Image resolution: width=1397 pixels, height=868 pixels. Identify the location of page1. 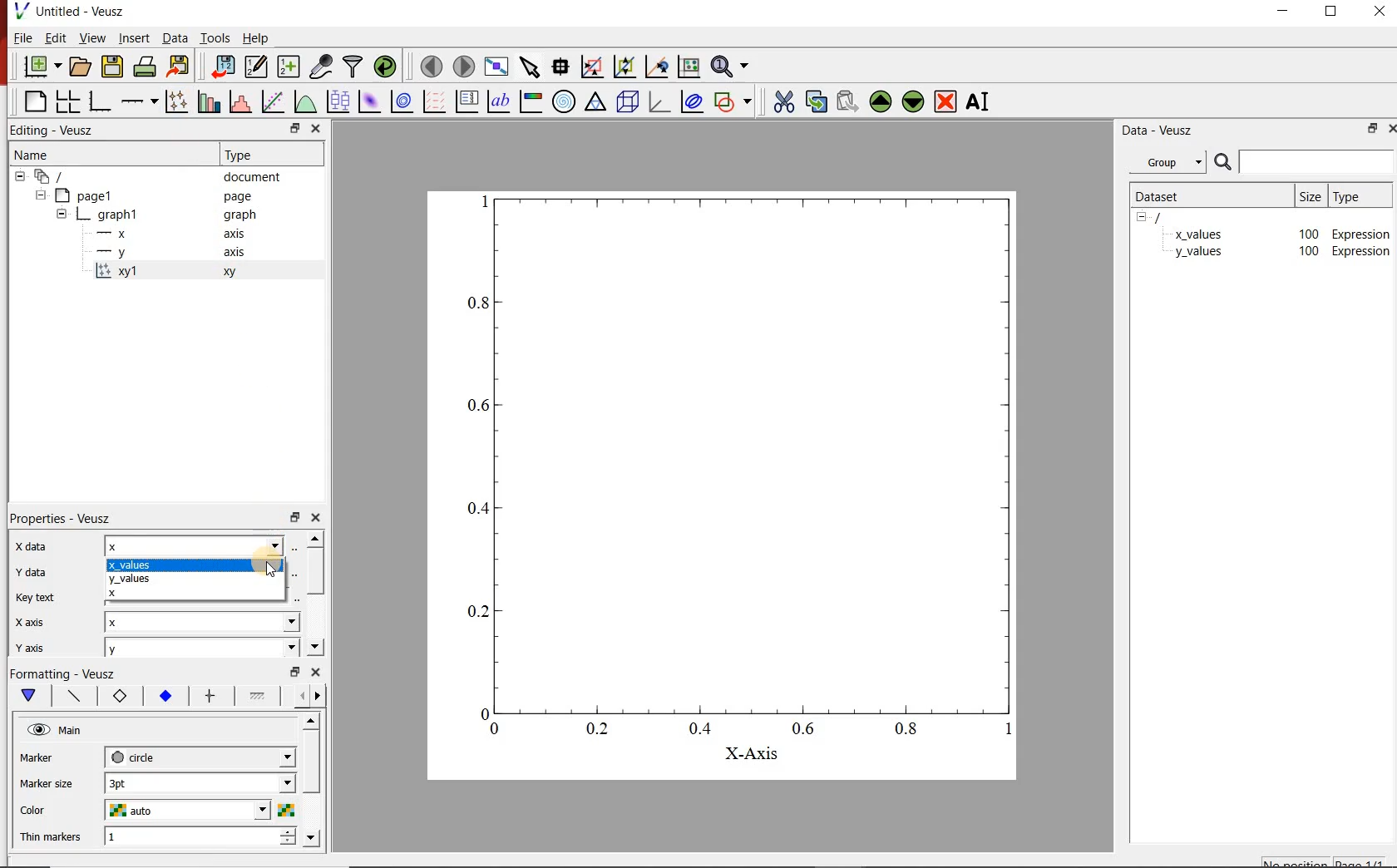
(91, 194).